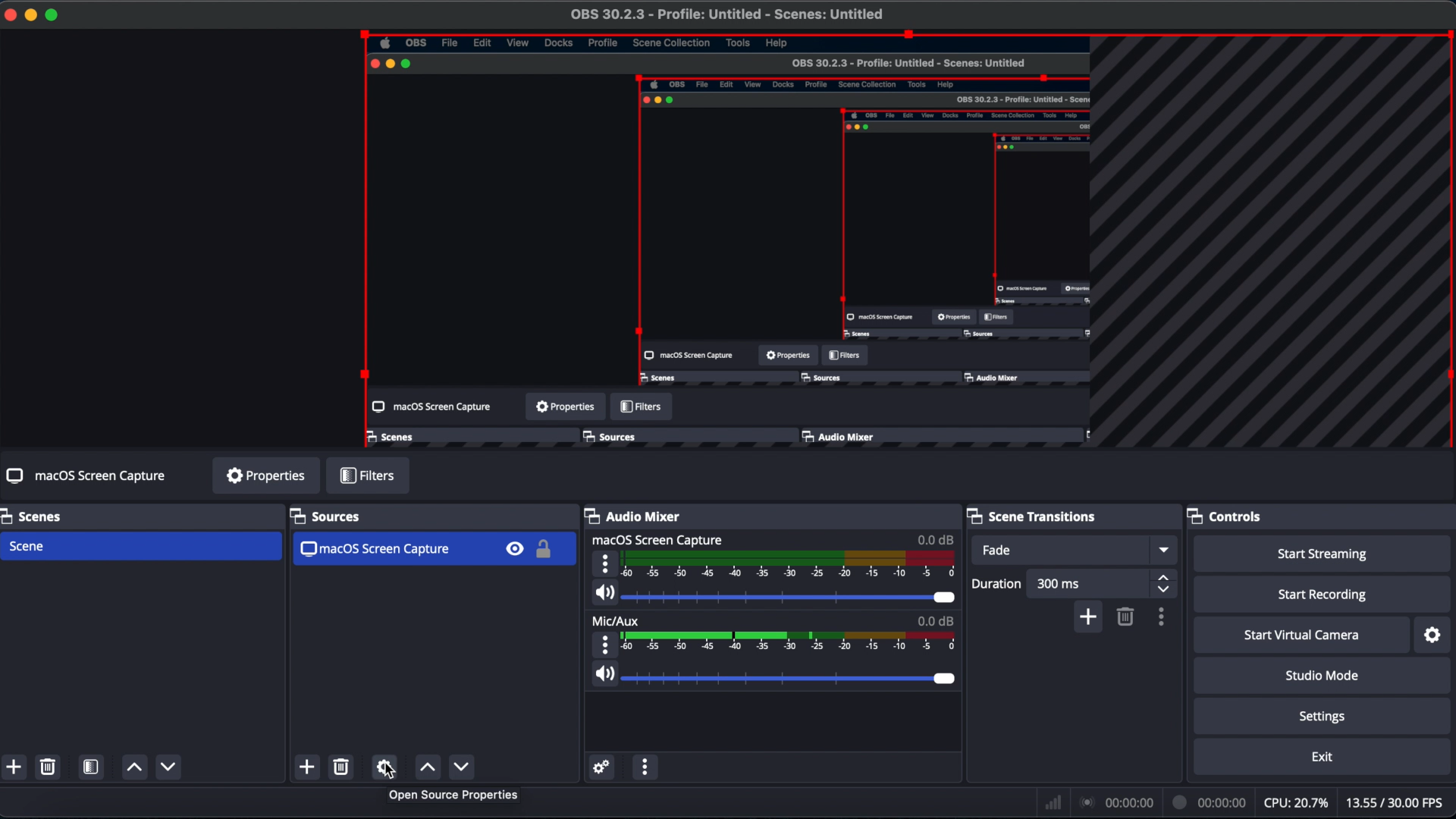 The height and width of the screenshot is (819, 1456). What do you see at coordinates (36, 516) in the screenshot?
I see `scenes` at bounding box center [36, 516].